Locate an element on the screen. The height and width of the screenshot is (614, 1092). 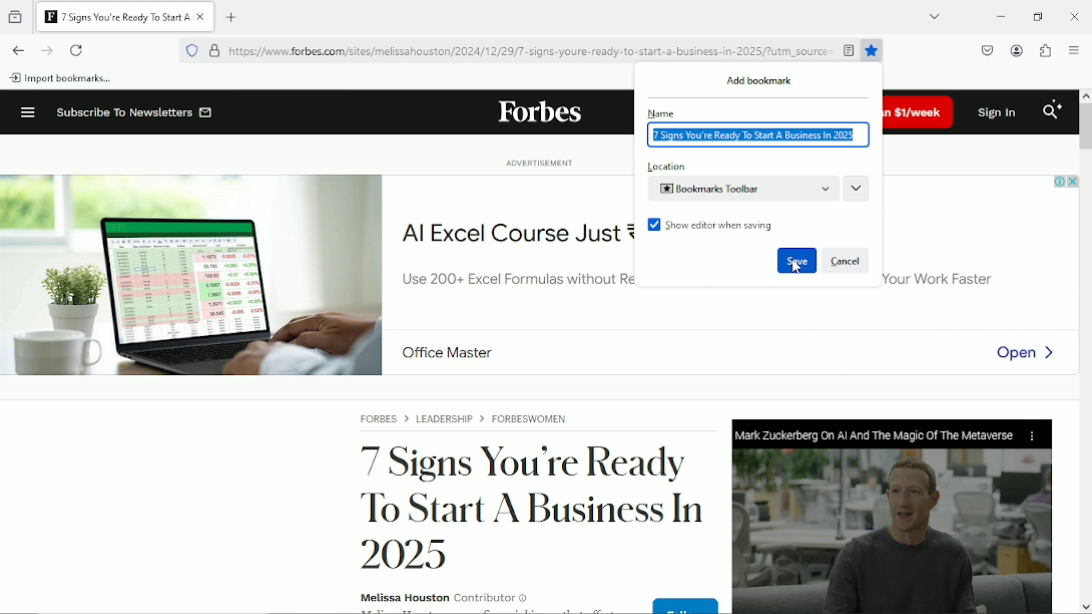
Restore down is located at coordinates (1036, 16).